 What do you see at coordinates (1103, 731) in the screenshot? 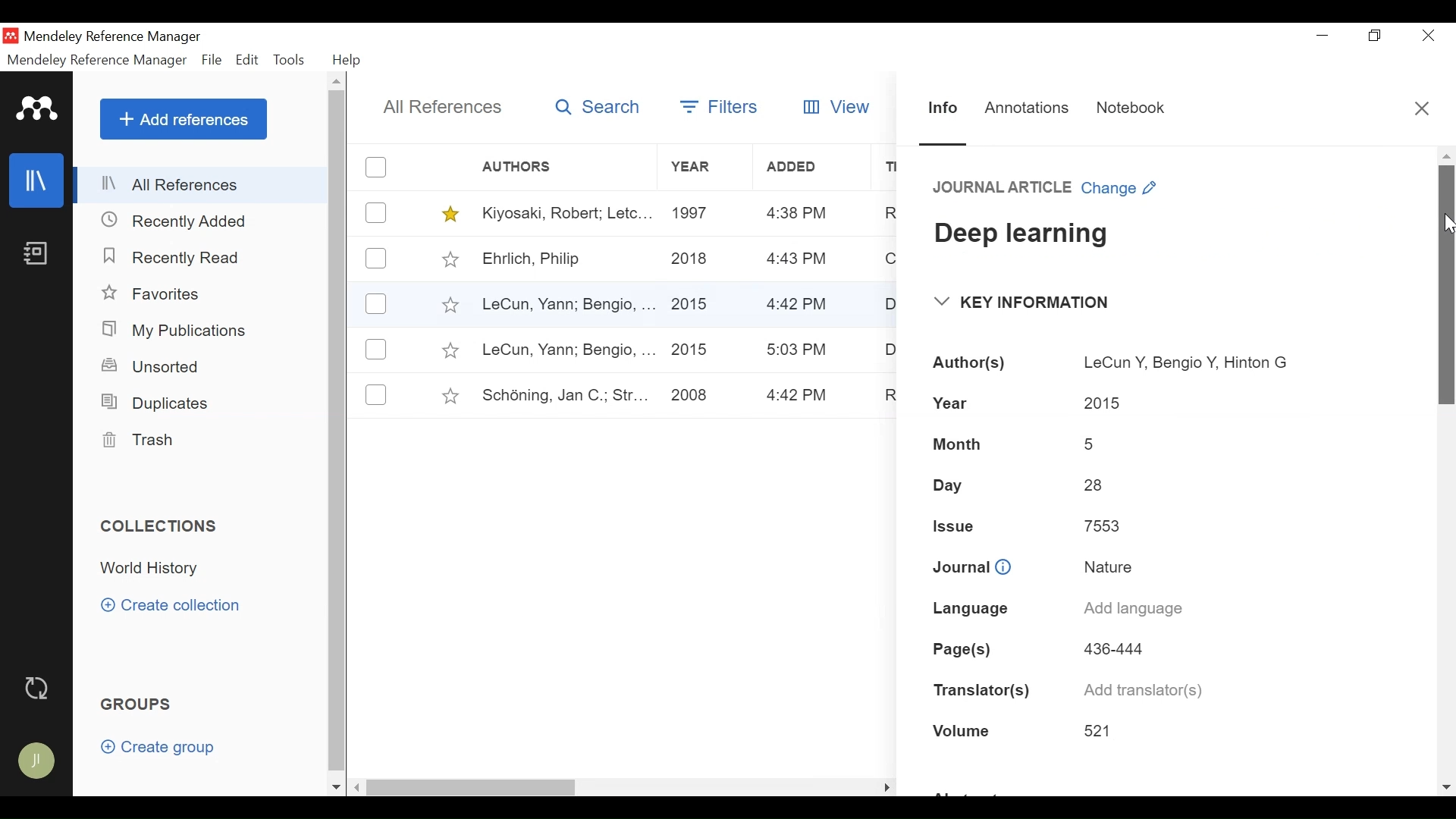
I see `521` at bounding box center [1103, 731].